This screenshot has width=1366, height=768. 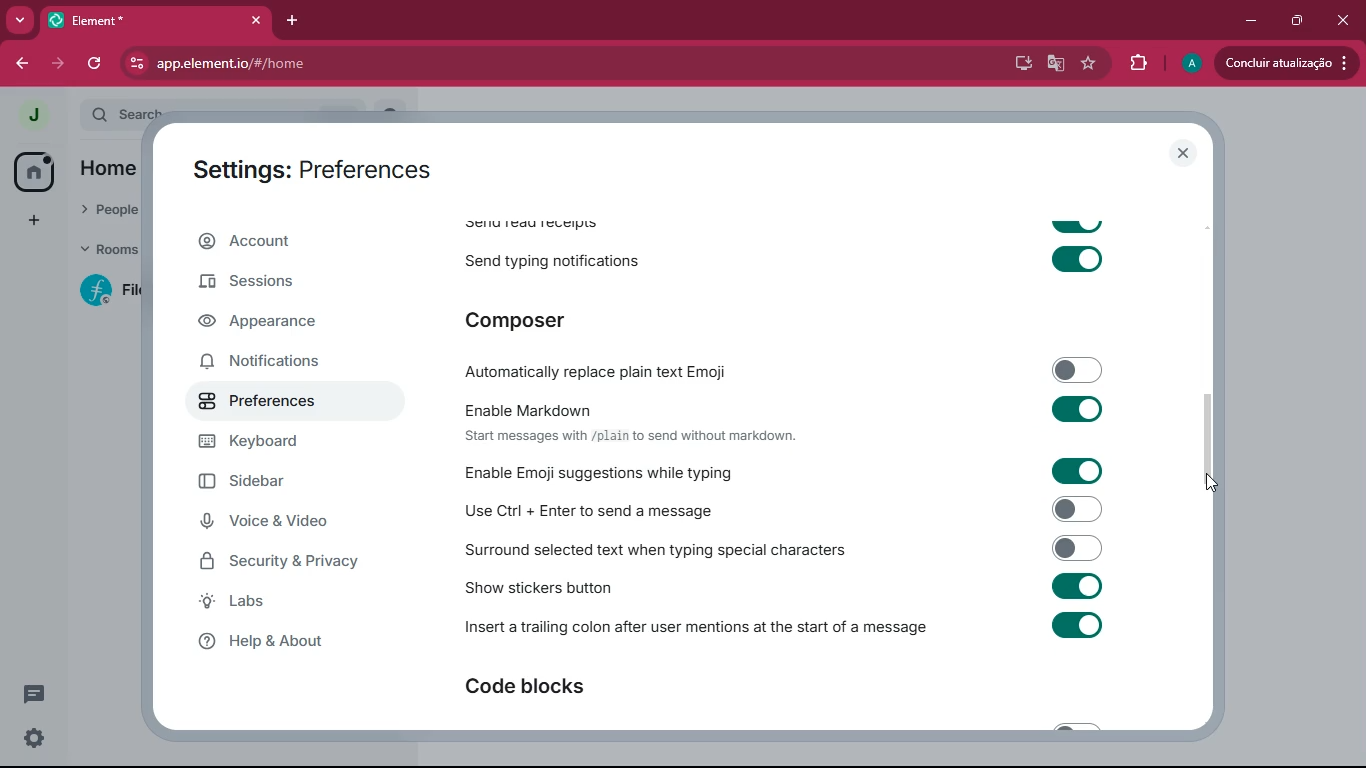 What do you see at coordinates (153, 20) in the screenshot?
I see `tab` at bounding box center [153, 20].